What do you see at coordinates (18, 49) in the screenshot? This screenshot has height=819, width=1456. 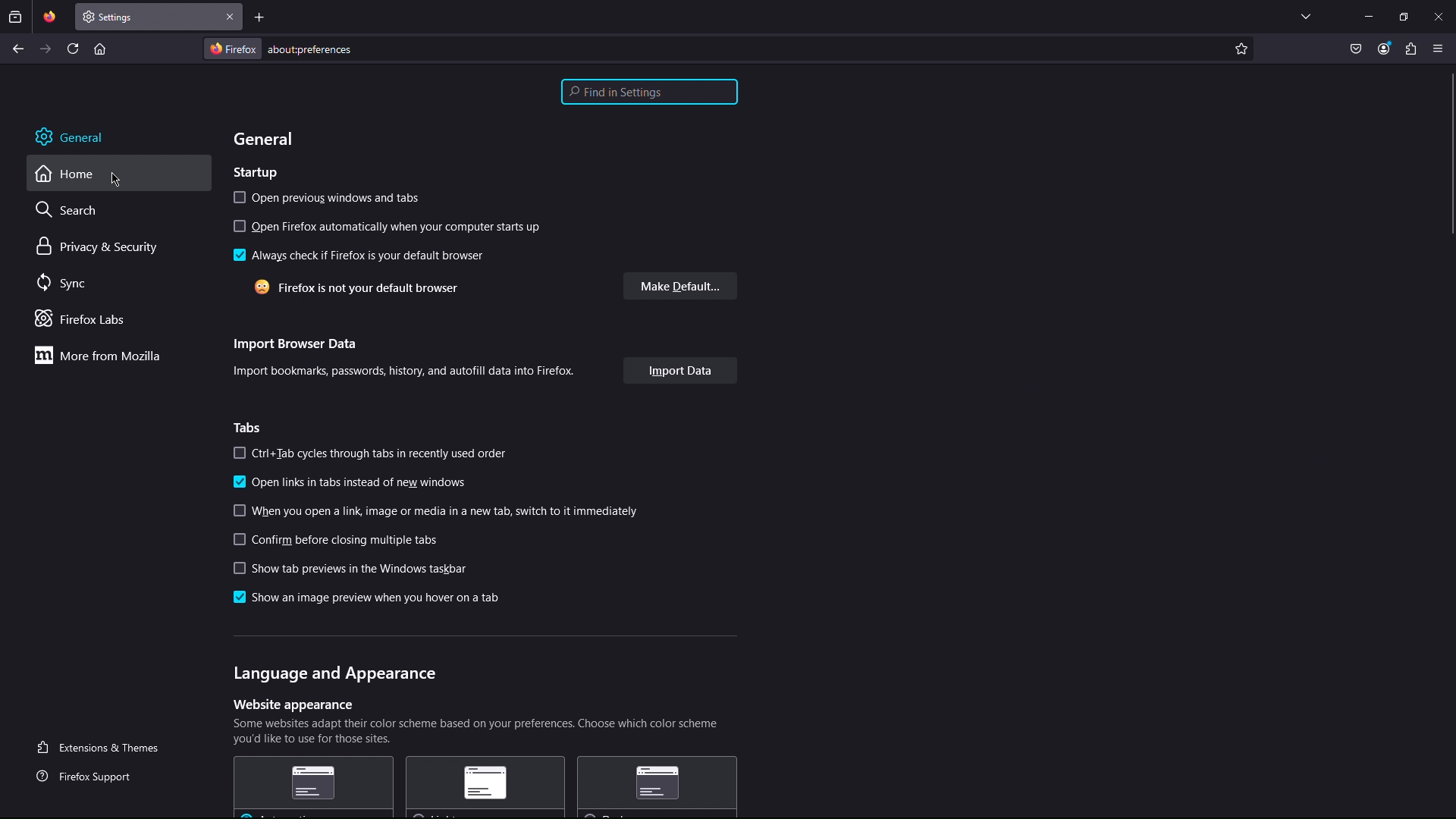 I see `Back` at bounding box center [18, 49].